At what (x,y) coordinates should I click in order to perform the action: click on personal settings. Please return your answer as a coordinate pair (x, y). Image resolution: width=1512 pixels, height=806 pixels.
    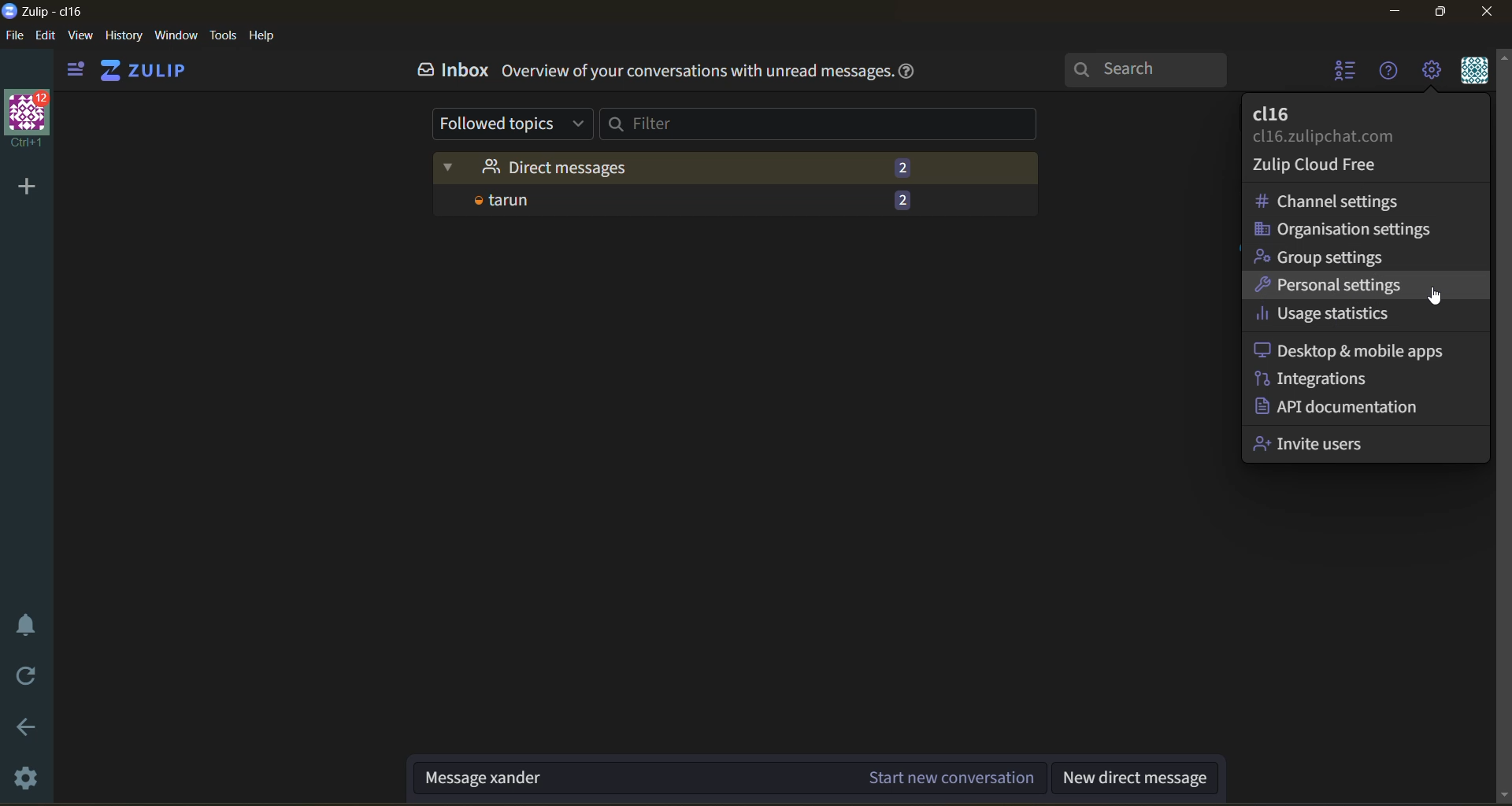
    Looking at the image, I should click on (1340, 284).